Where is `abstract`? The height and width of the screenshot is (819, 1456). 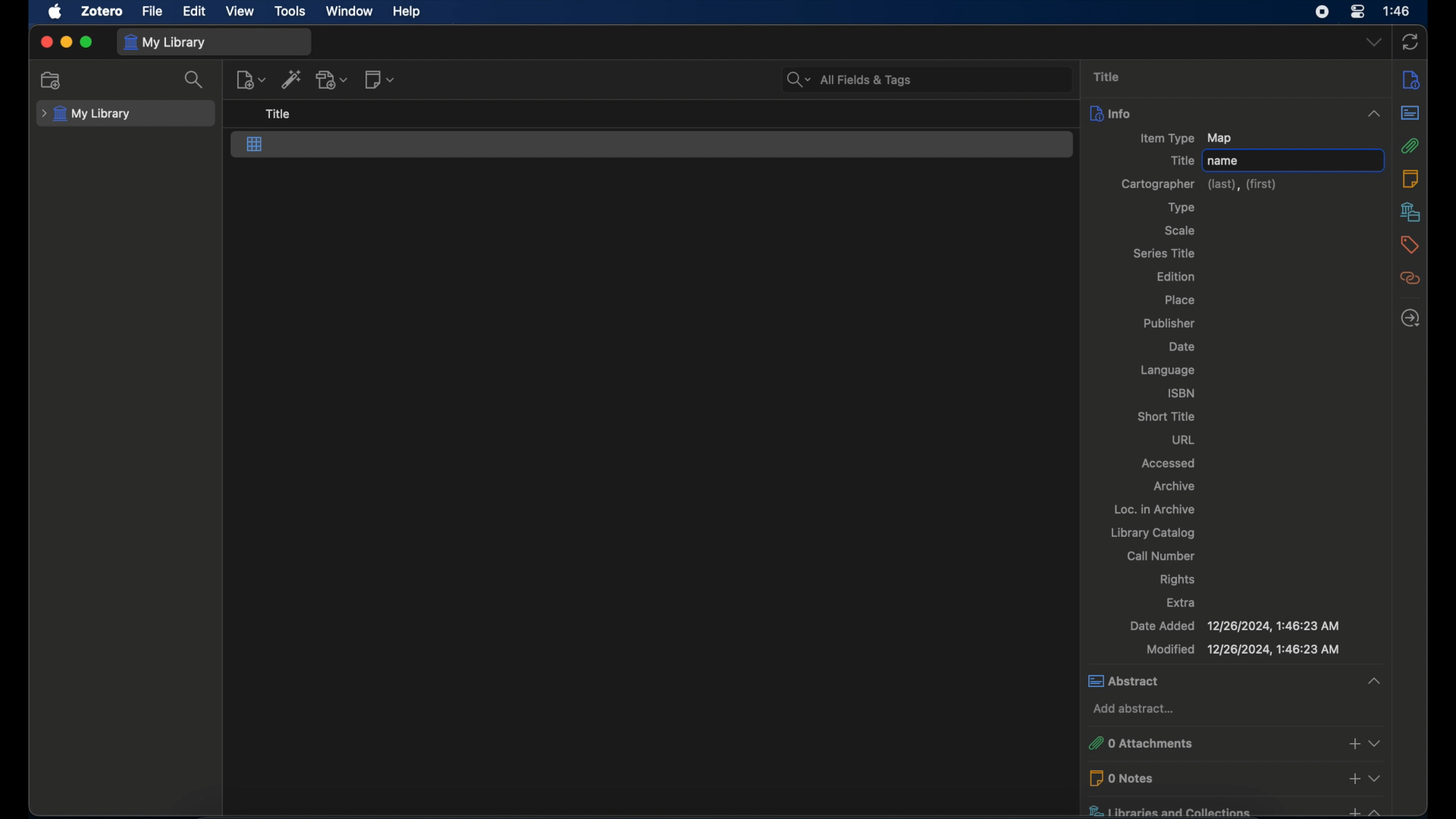
abstract is located at coordinates (1410, 112).